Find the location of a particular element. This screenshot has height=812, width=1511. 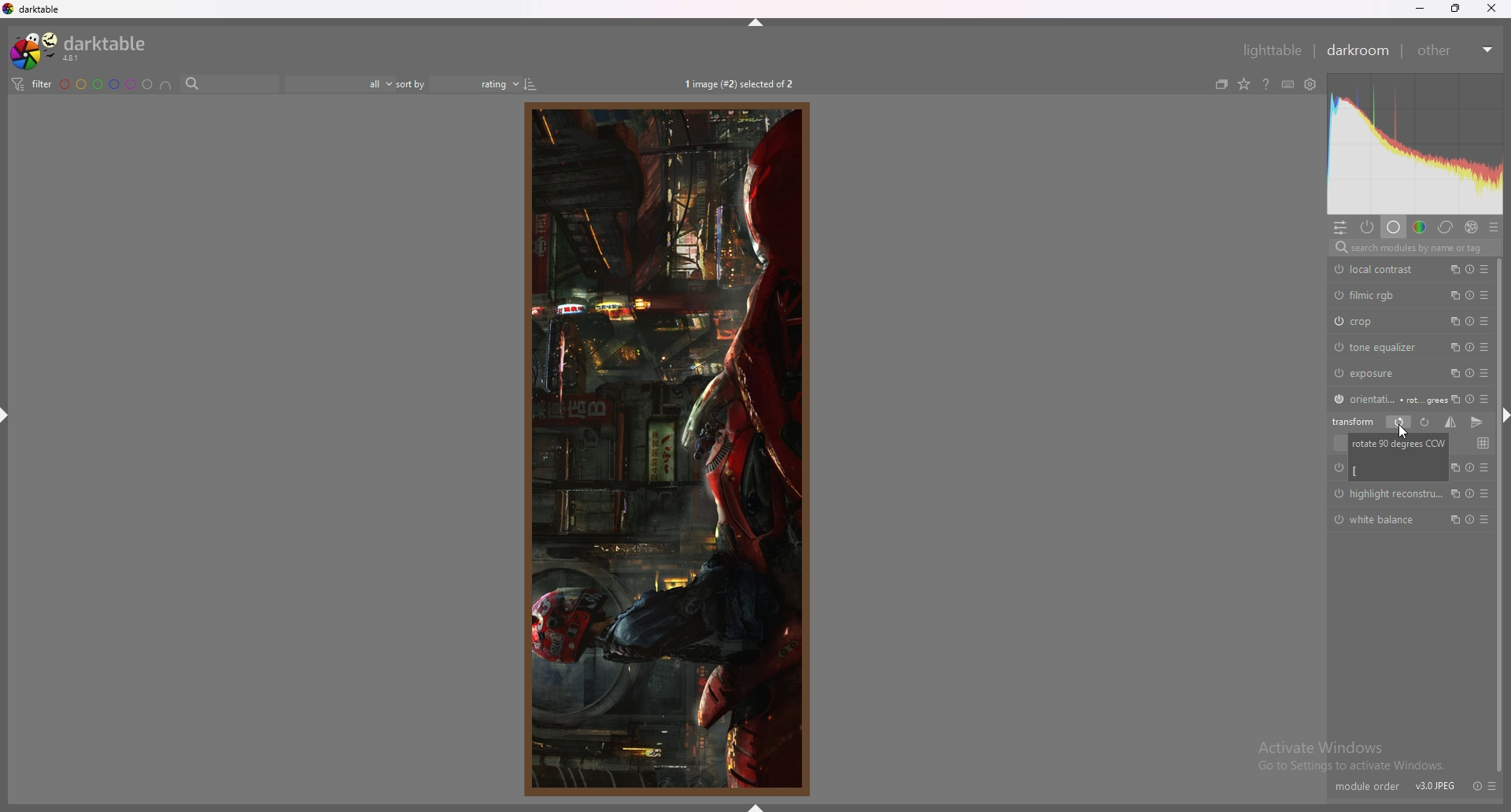

crop is located at coordinates (1368, 321).